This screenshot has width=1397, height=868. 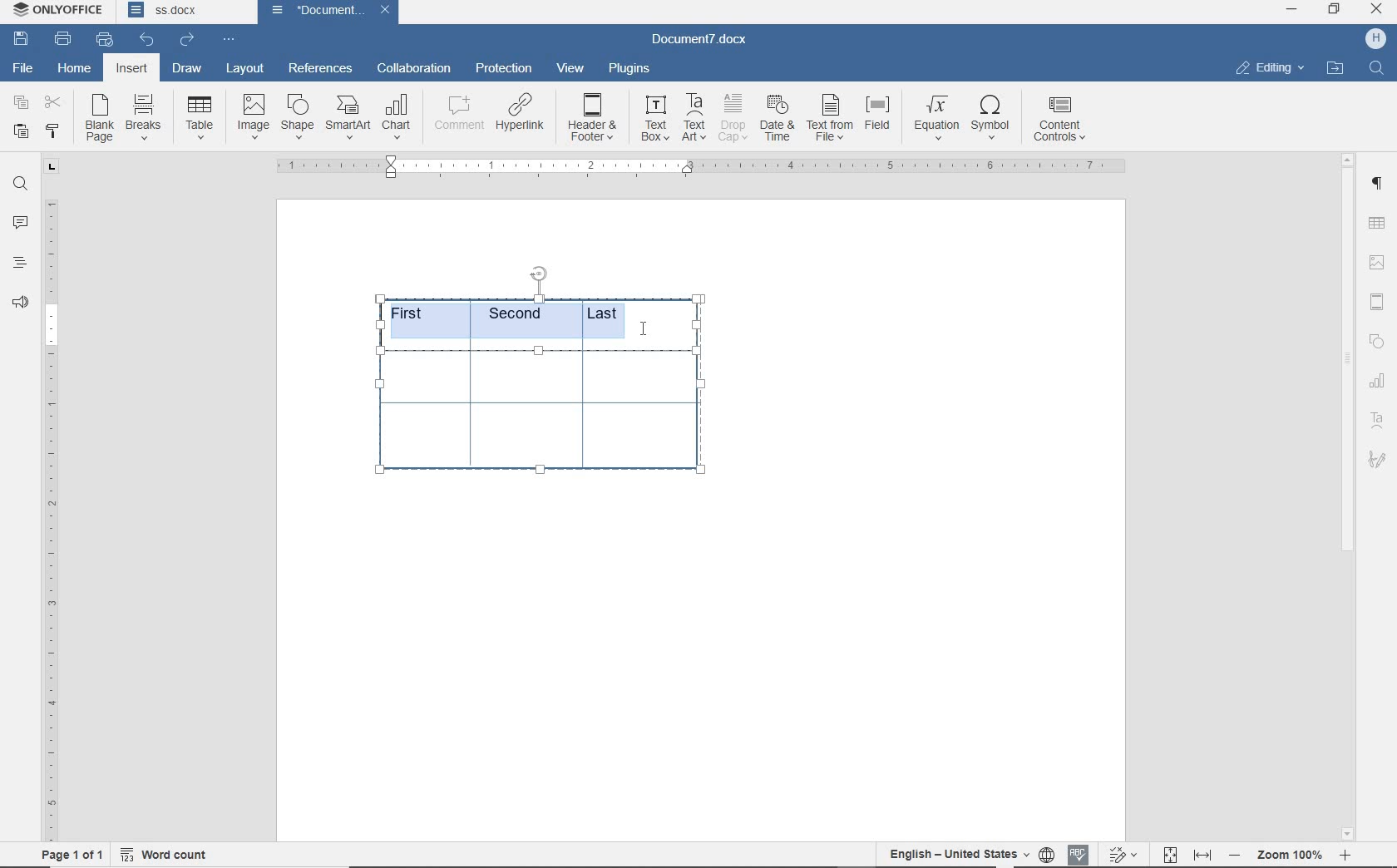 What do you see at coordinates (880, 118) in the screenshot?
I see `field` at bounding box center [880, 118].